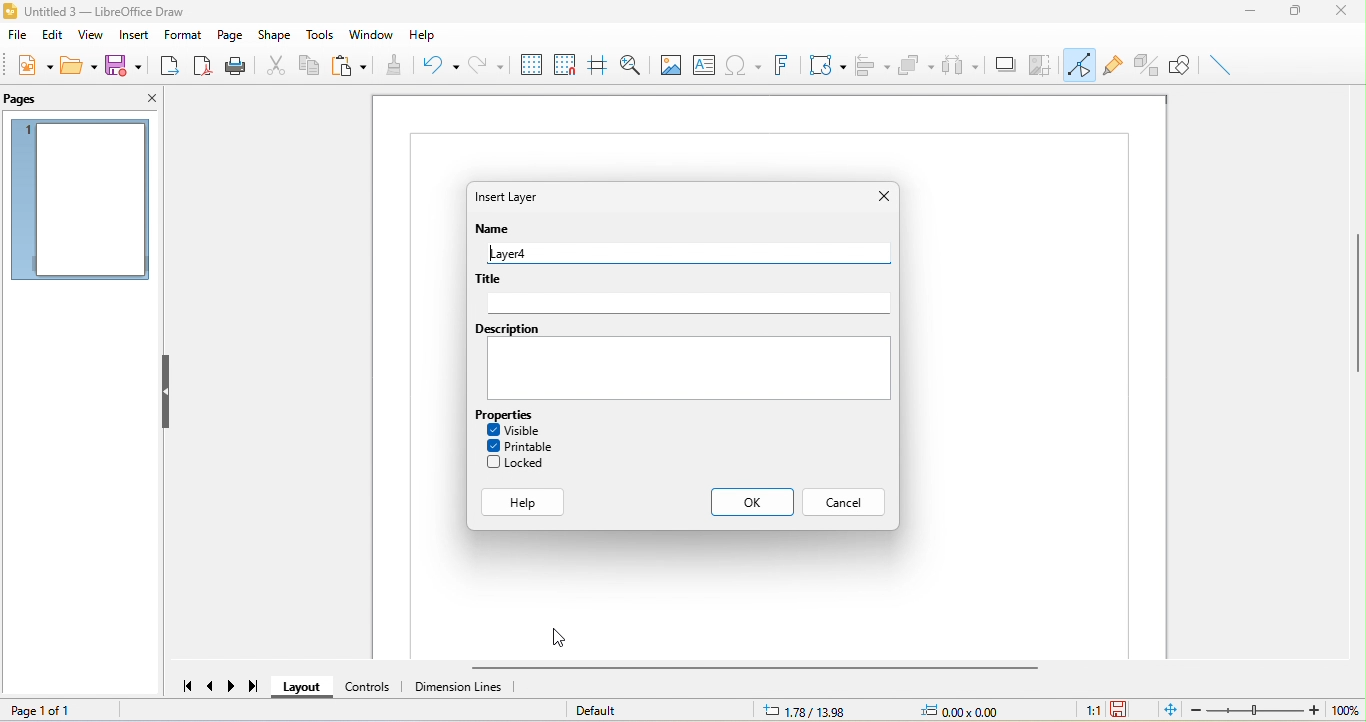 The height and width of the screenshot is (722, 1366). What do you see at coordinates (369, 687) in the screenshot?
I see `control` at bounding box center [369, 687].